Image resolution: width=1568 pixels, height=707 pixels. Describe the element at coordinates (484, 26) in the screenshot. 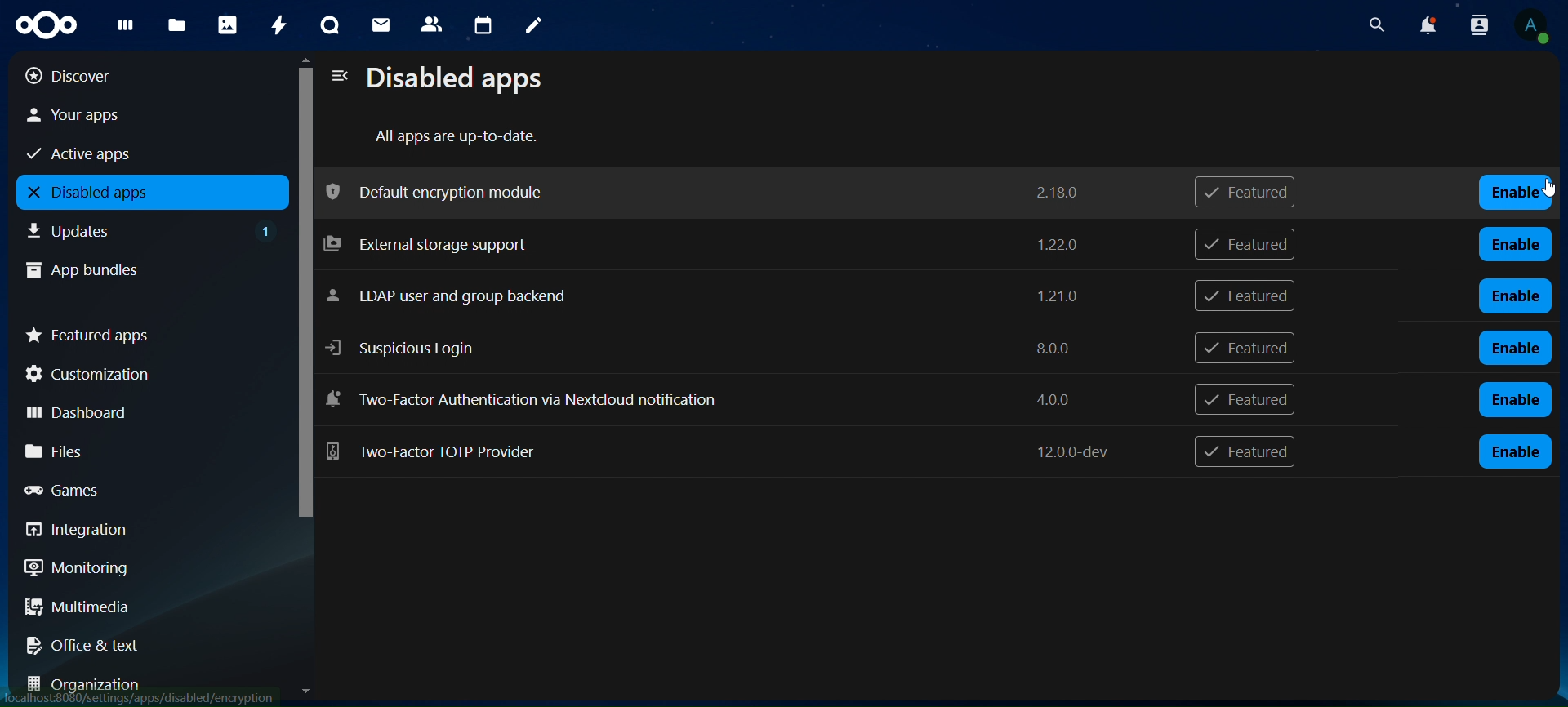

I see `calendar` at that location.